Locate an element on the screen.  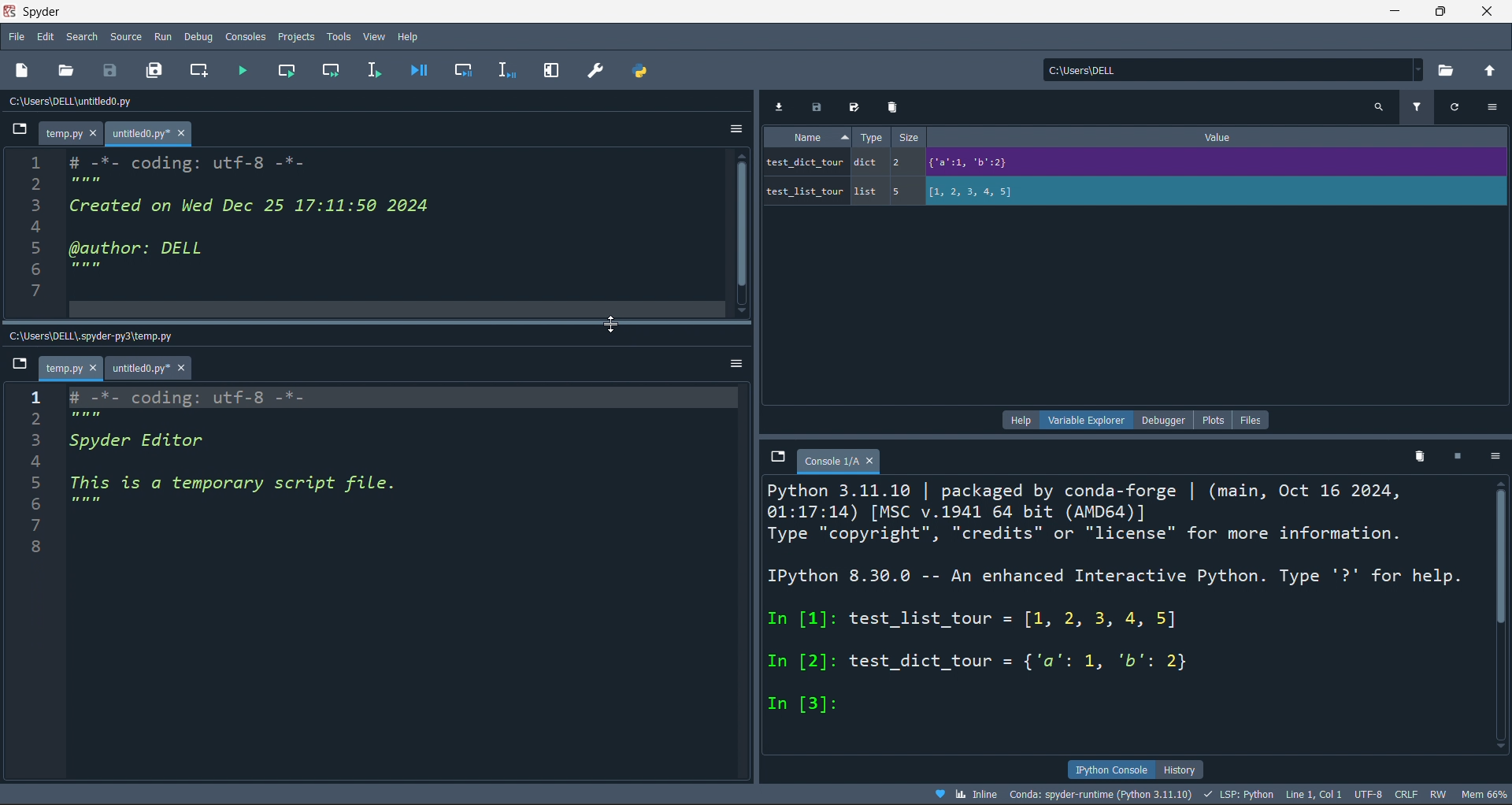
debug line is located at coordinates (508, 72).